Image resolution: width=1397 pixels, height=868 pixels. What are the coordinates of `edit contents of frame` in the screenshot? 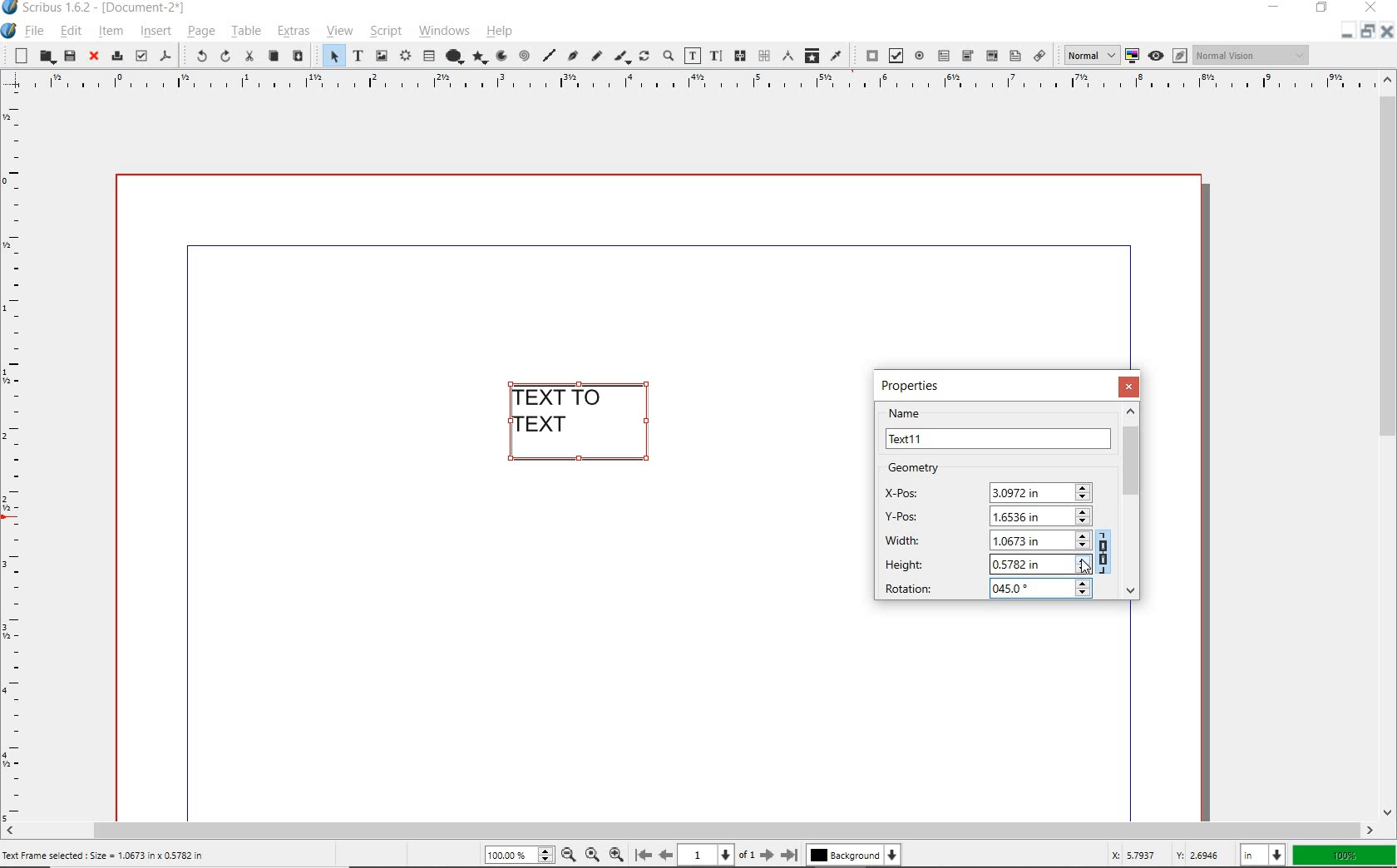 It's located at (693, 55).